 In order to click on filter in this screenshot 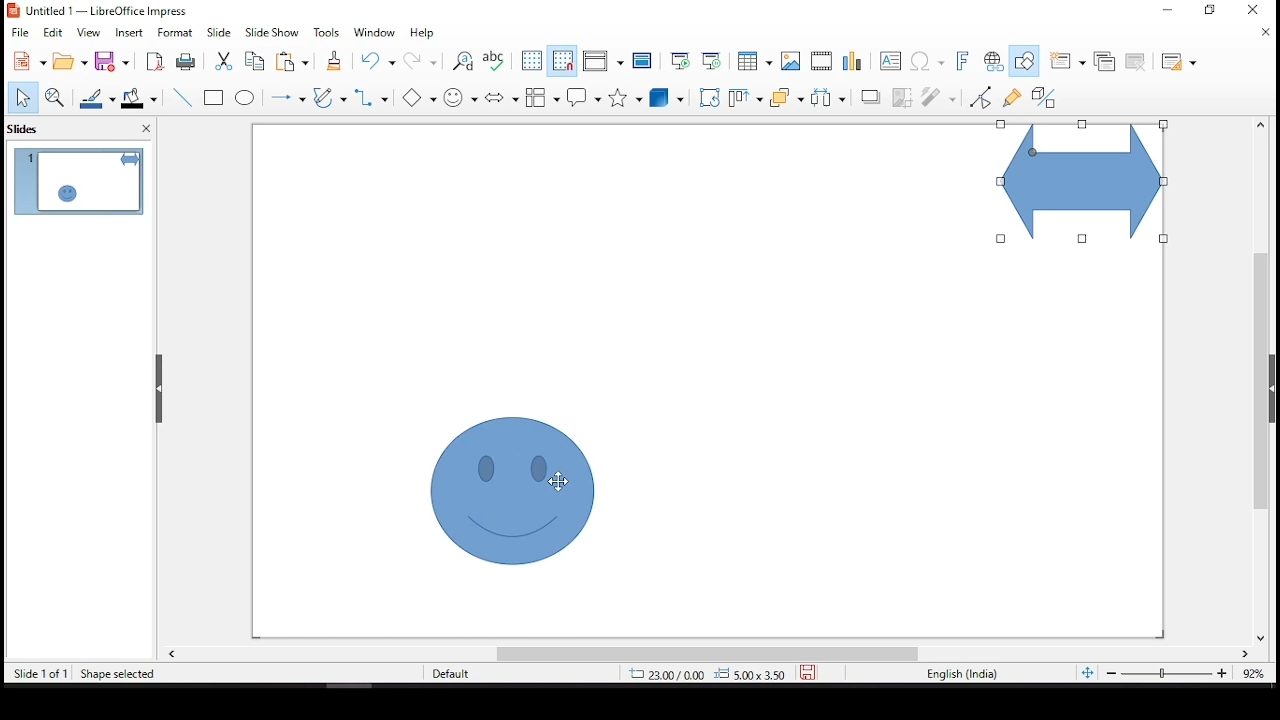, I will do `click(940, 94)`.